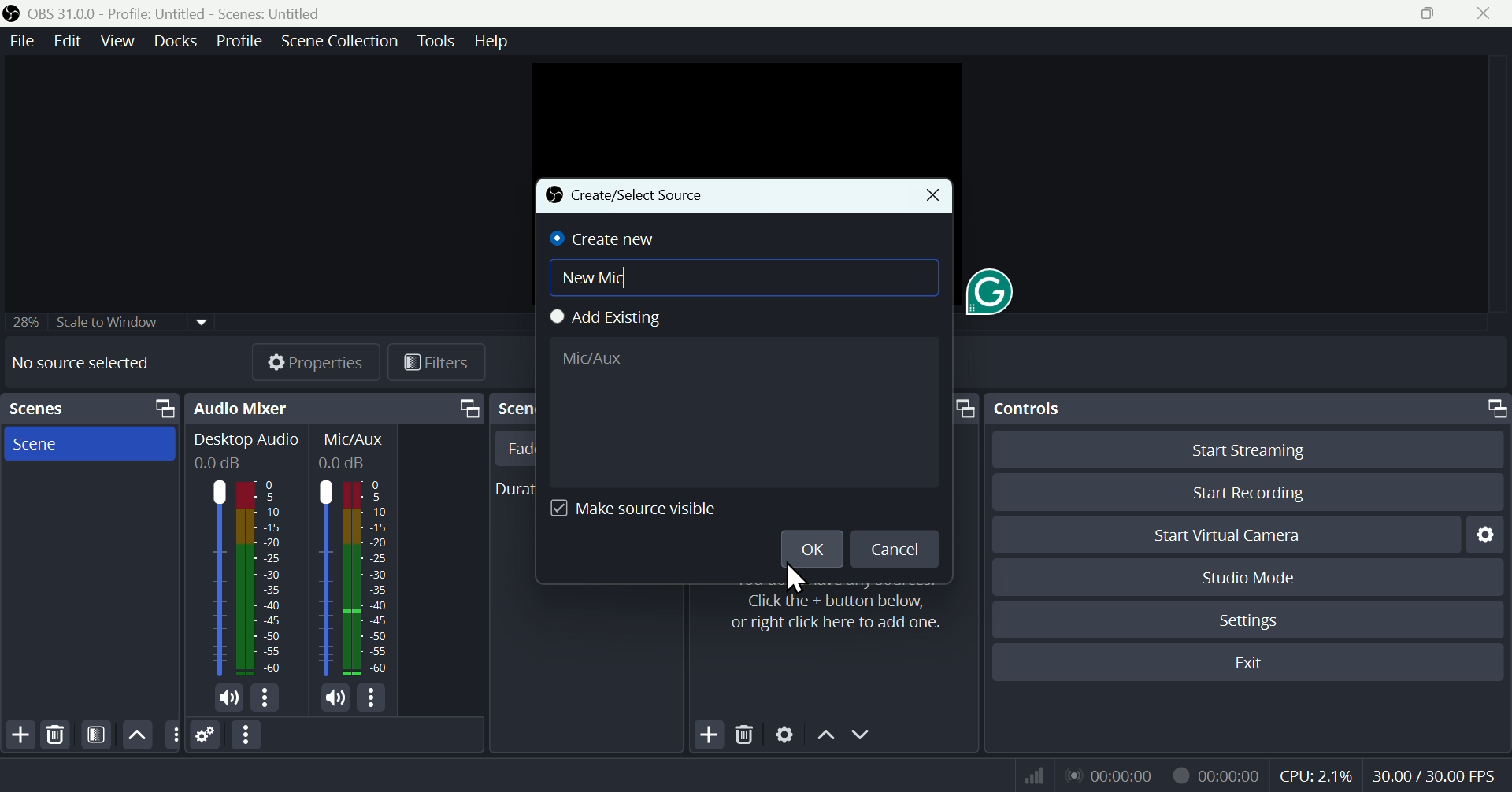 This screenshot has height=792, width=1512. I want to click on Exit, so click(1258, 663).